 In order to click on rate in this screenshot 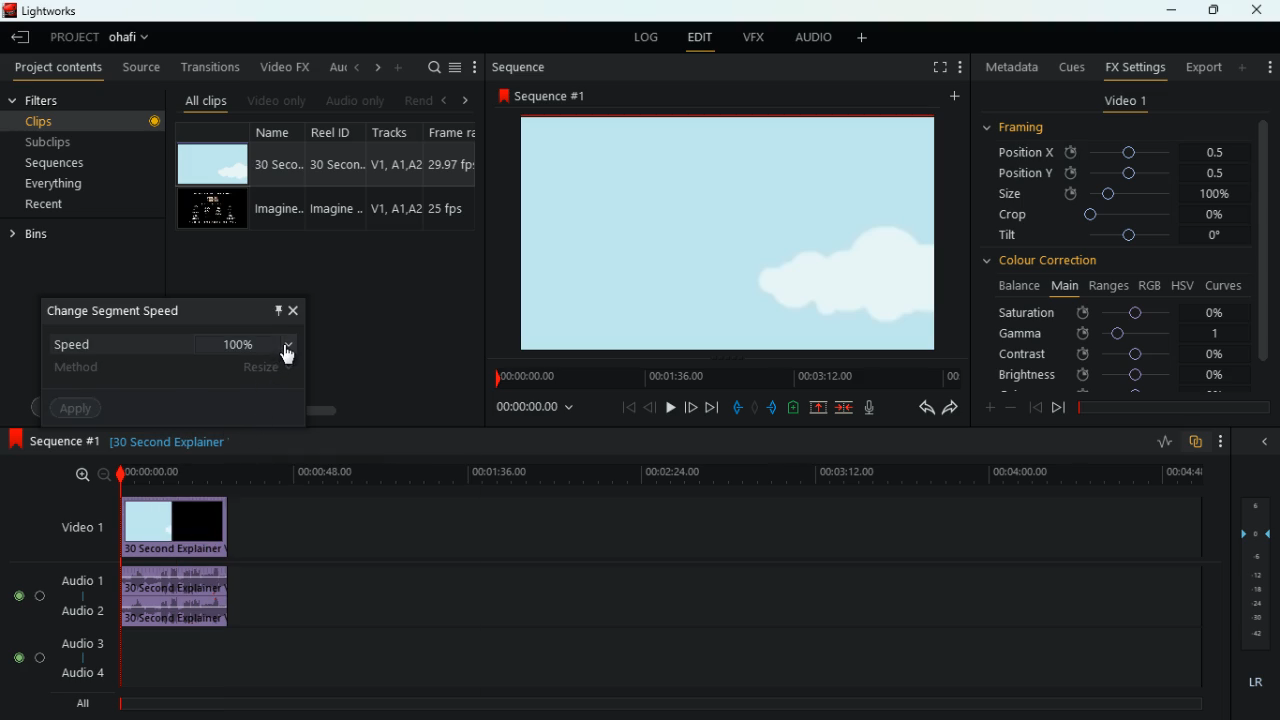, I will do `click(1159, 442)`.